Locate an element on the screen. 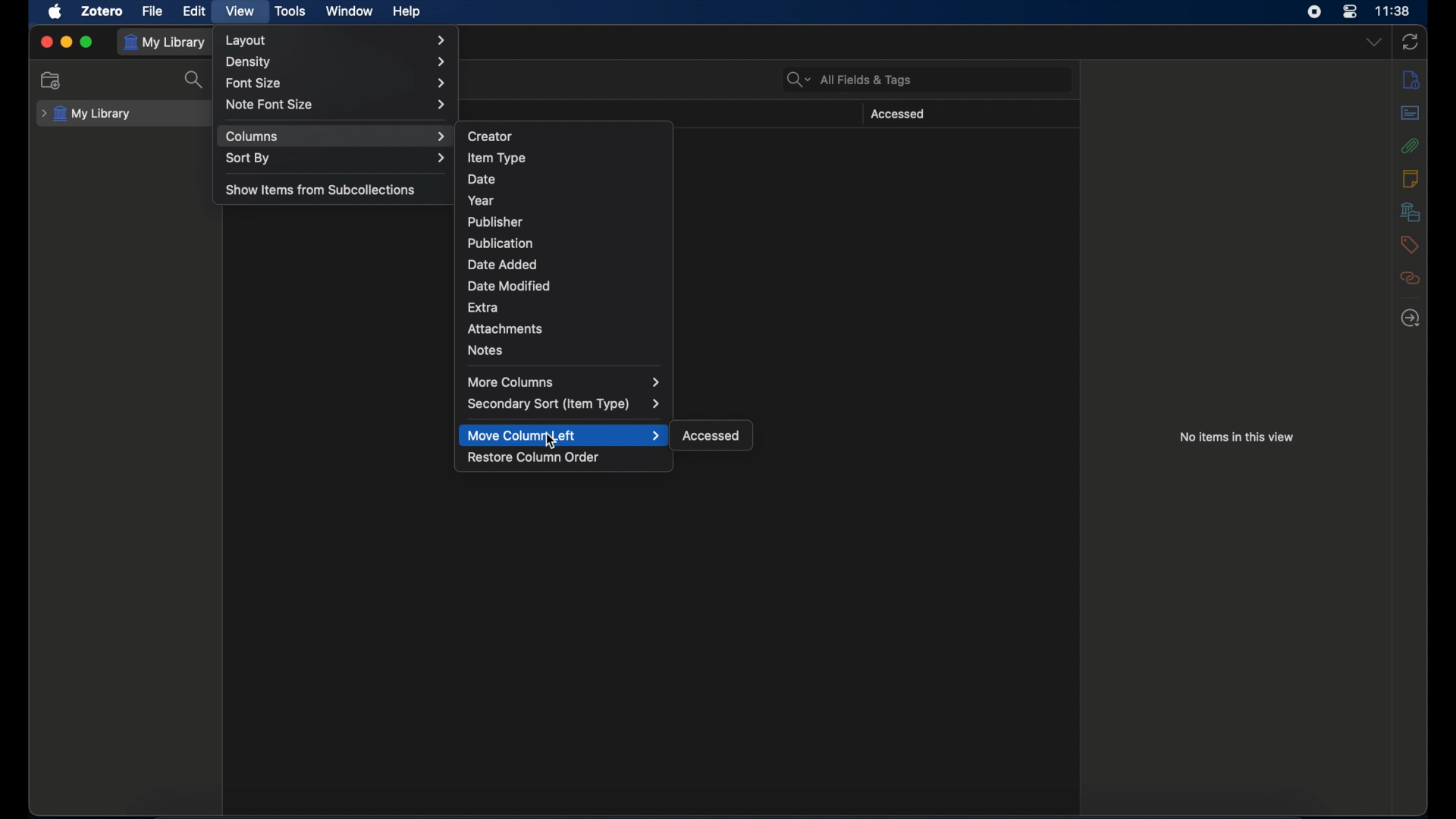 The image size is (1456, 819). creator is located at coordinates (491, 136).